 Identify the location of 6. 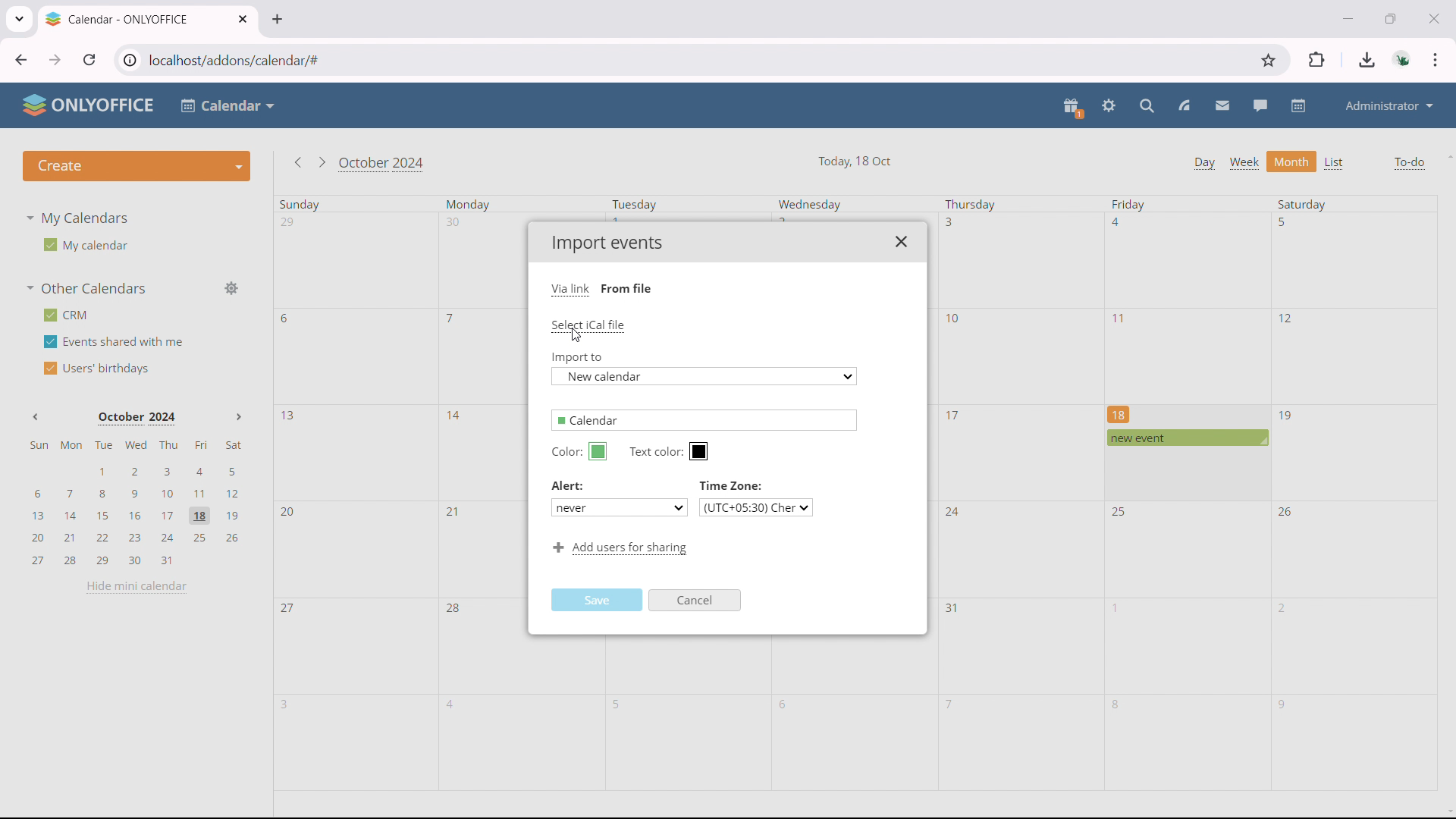
(286, 318).